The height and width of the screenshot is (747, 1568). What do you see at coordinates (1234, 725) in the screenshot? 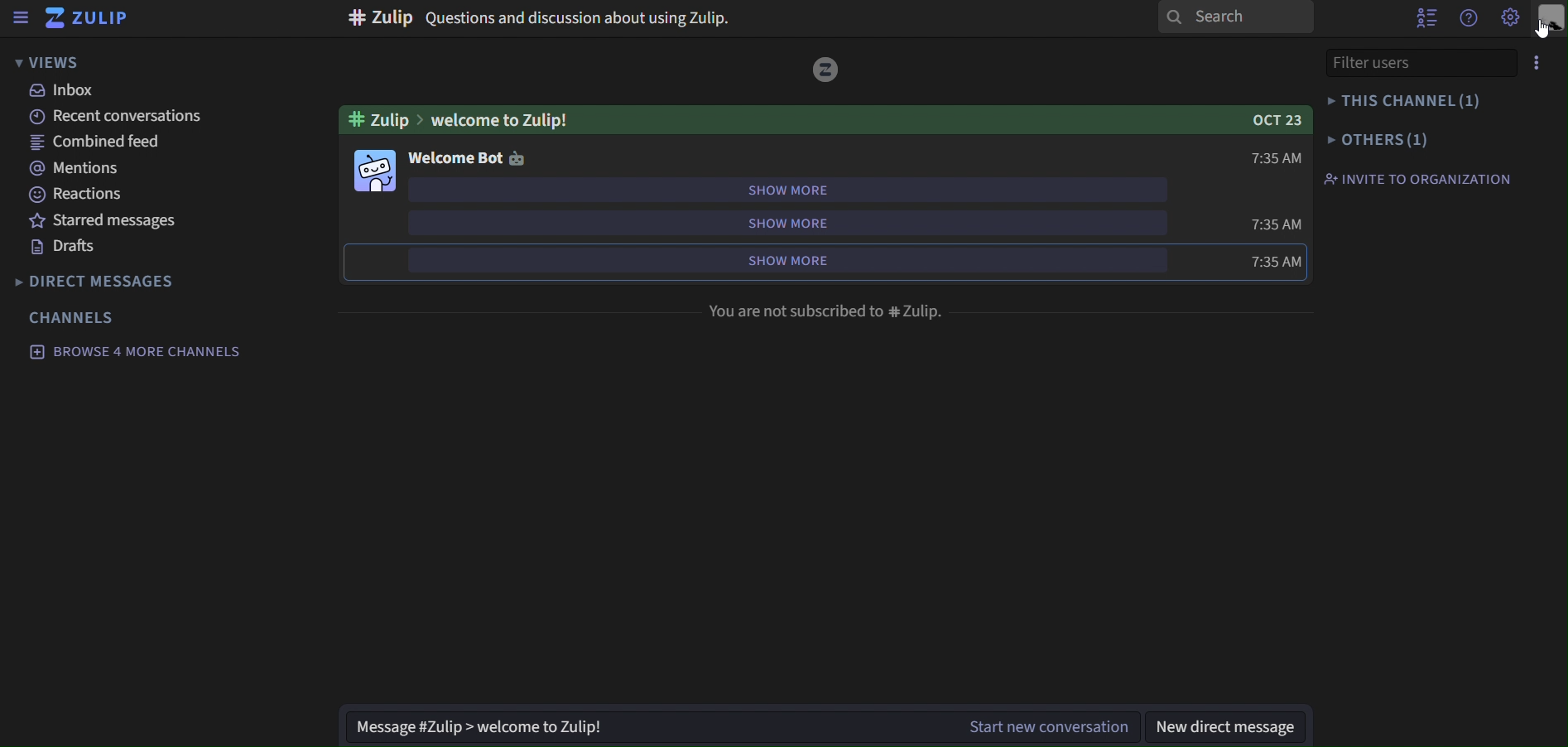
I see `new direct message` at bounding box center [1234, 725].